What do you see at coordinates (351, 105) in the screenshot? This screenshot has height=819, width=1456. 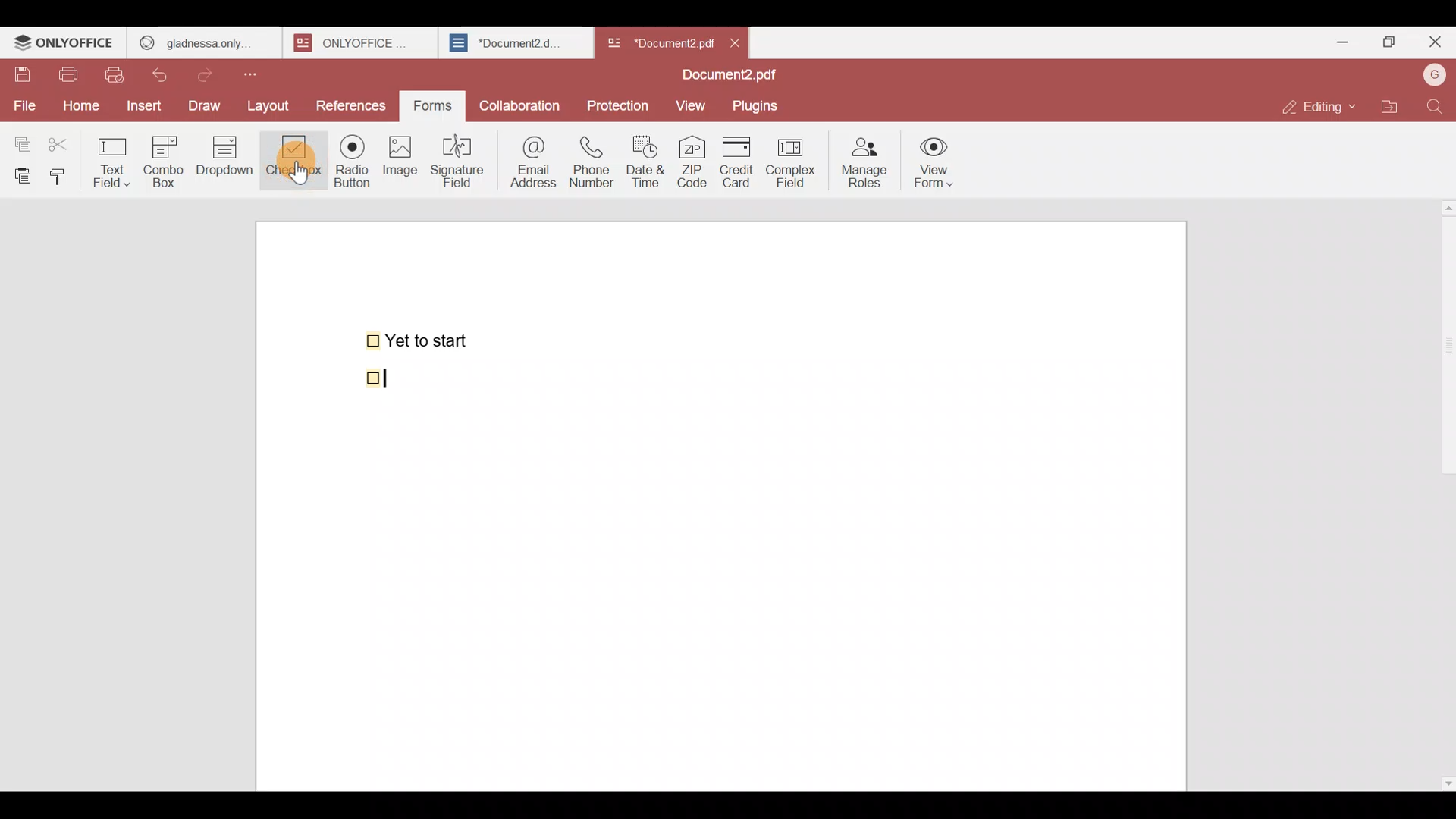 I see `References` at bounding box center [351, 105].